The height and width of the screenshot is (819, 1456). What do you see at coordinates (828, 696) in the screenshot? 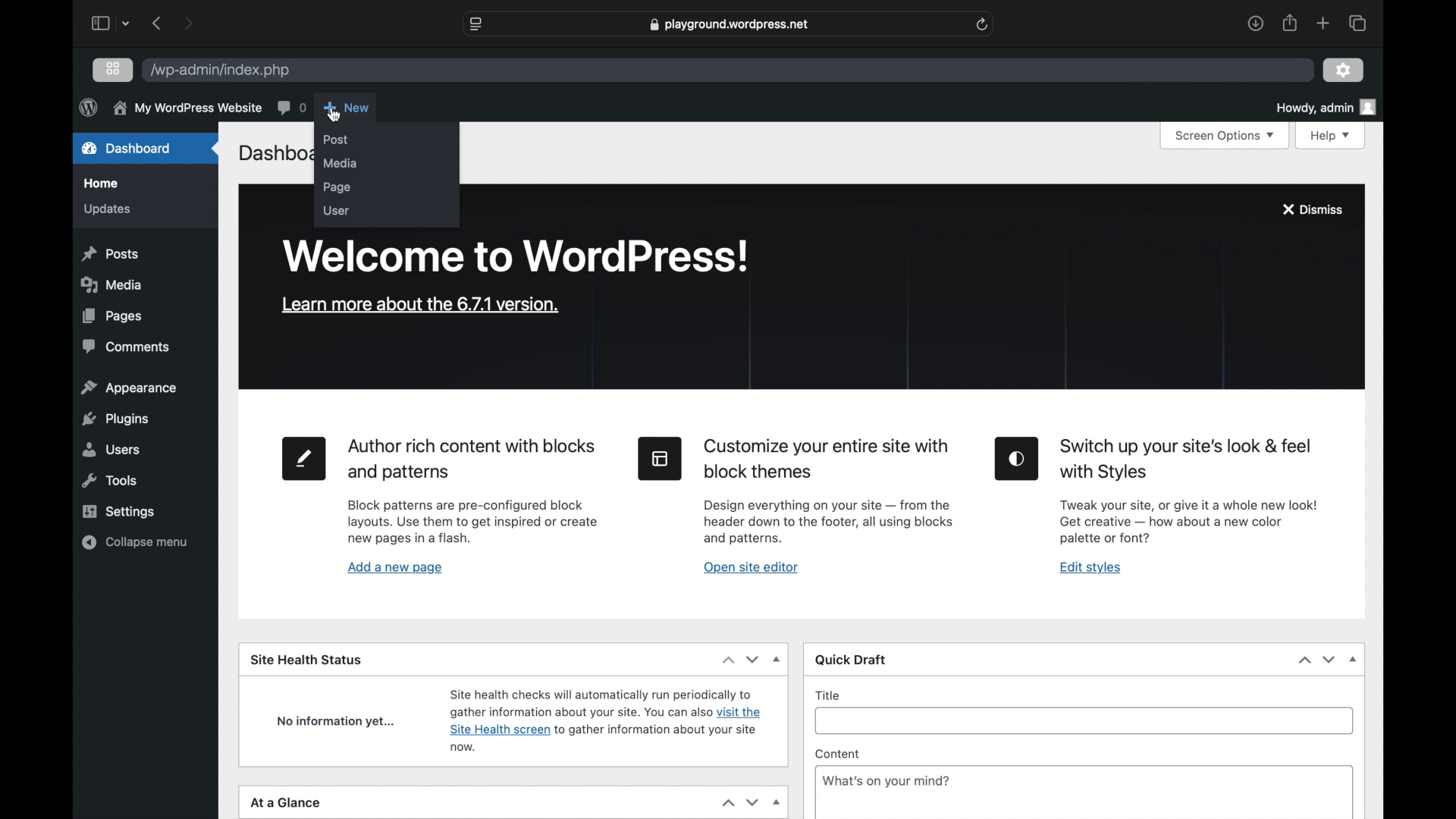
I see `title` at bounding box center [828, 696].